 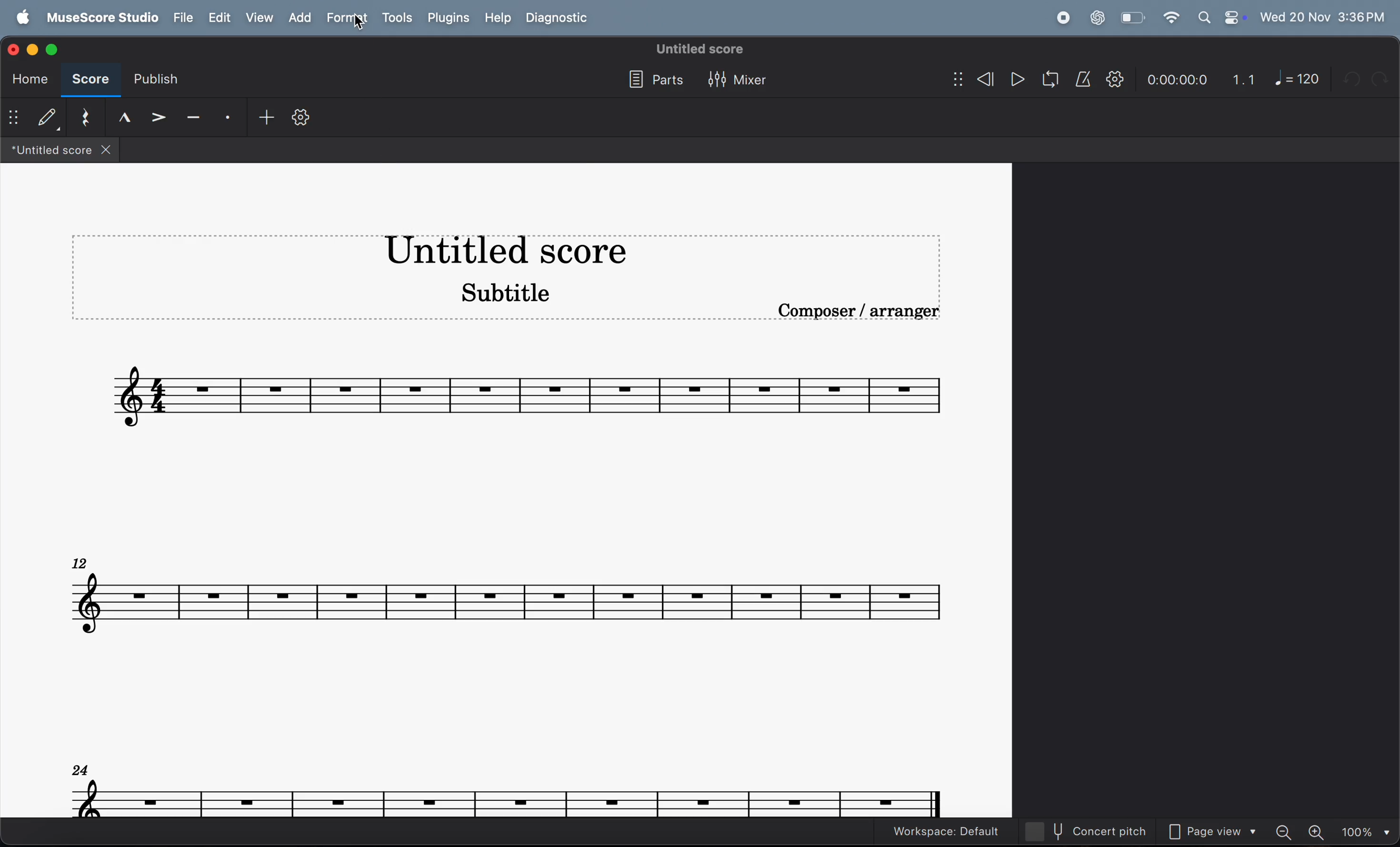 What do you see at coordinates (360, 30) in the screenshot?
I see `cursor` at bounding box center [360, 30].